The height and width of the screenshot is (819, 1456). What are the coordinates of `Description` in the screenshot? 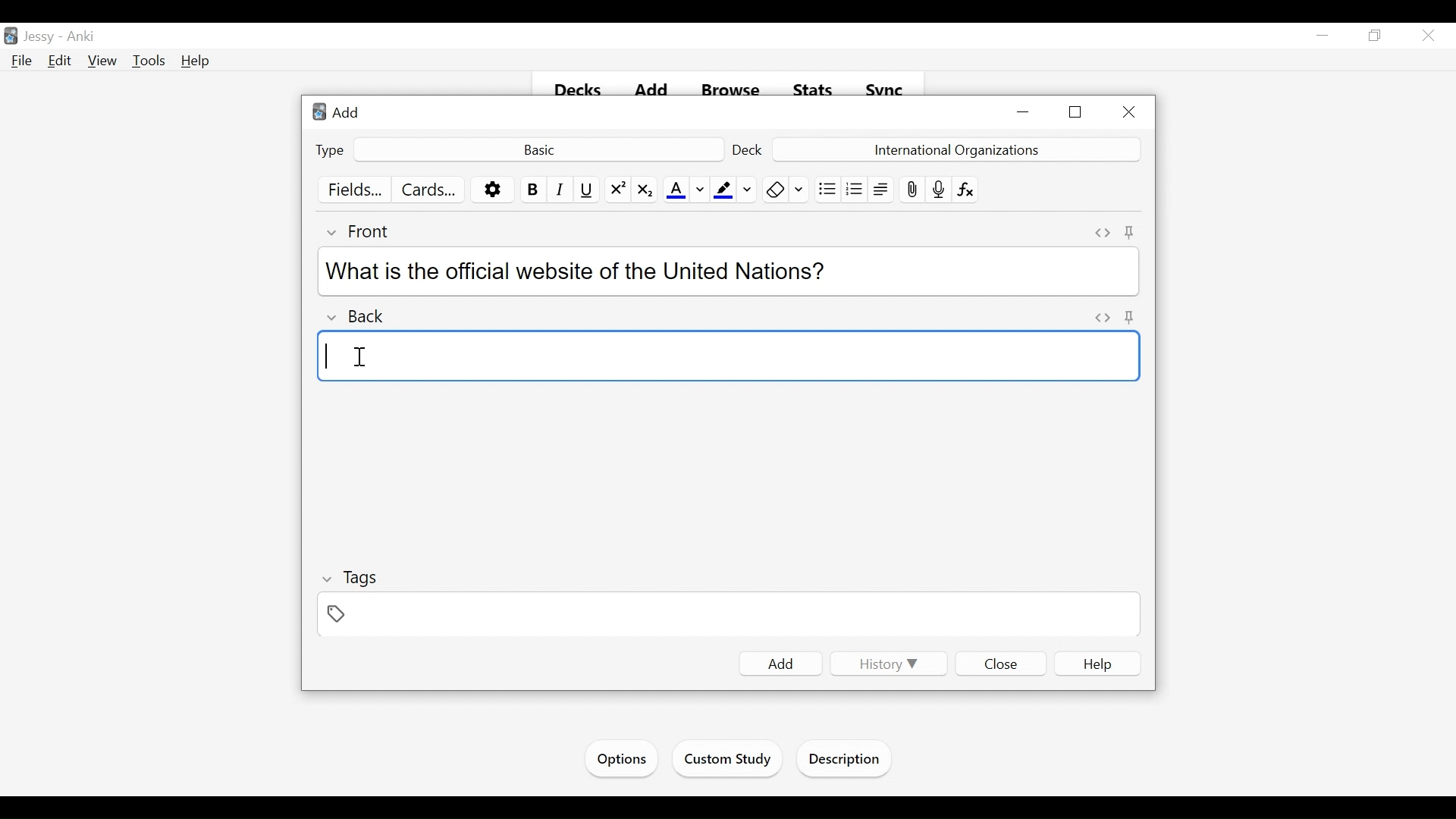 It's located at (846, 761).